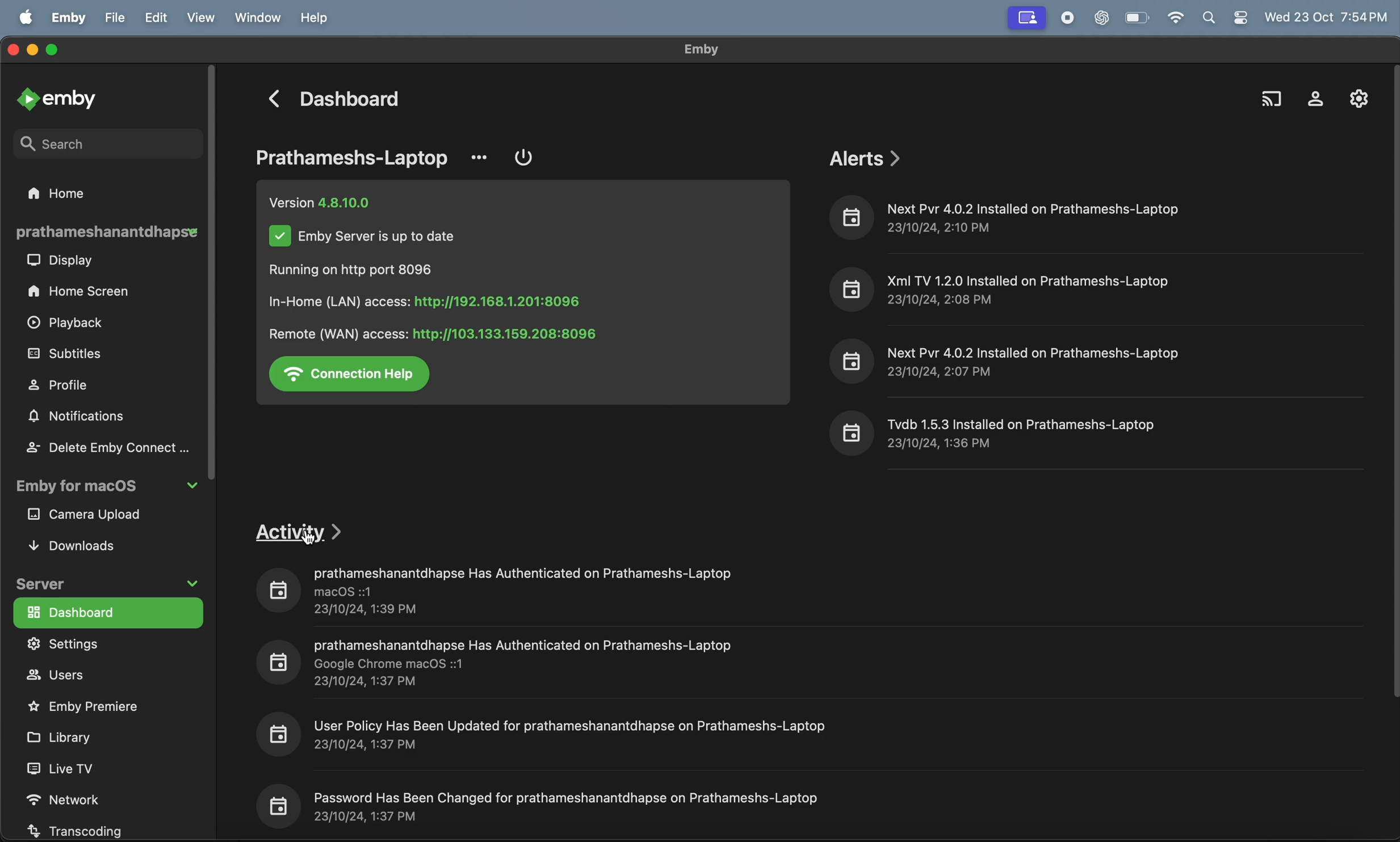  I want to click on server, so click(106, 580).